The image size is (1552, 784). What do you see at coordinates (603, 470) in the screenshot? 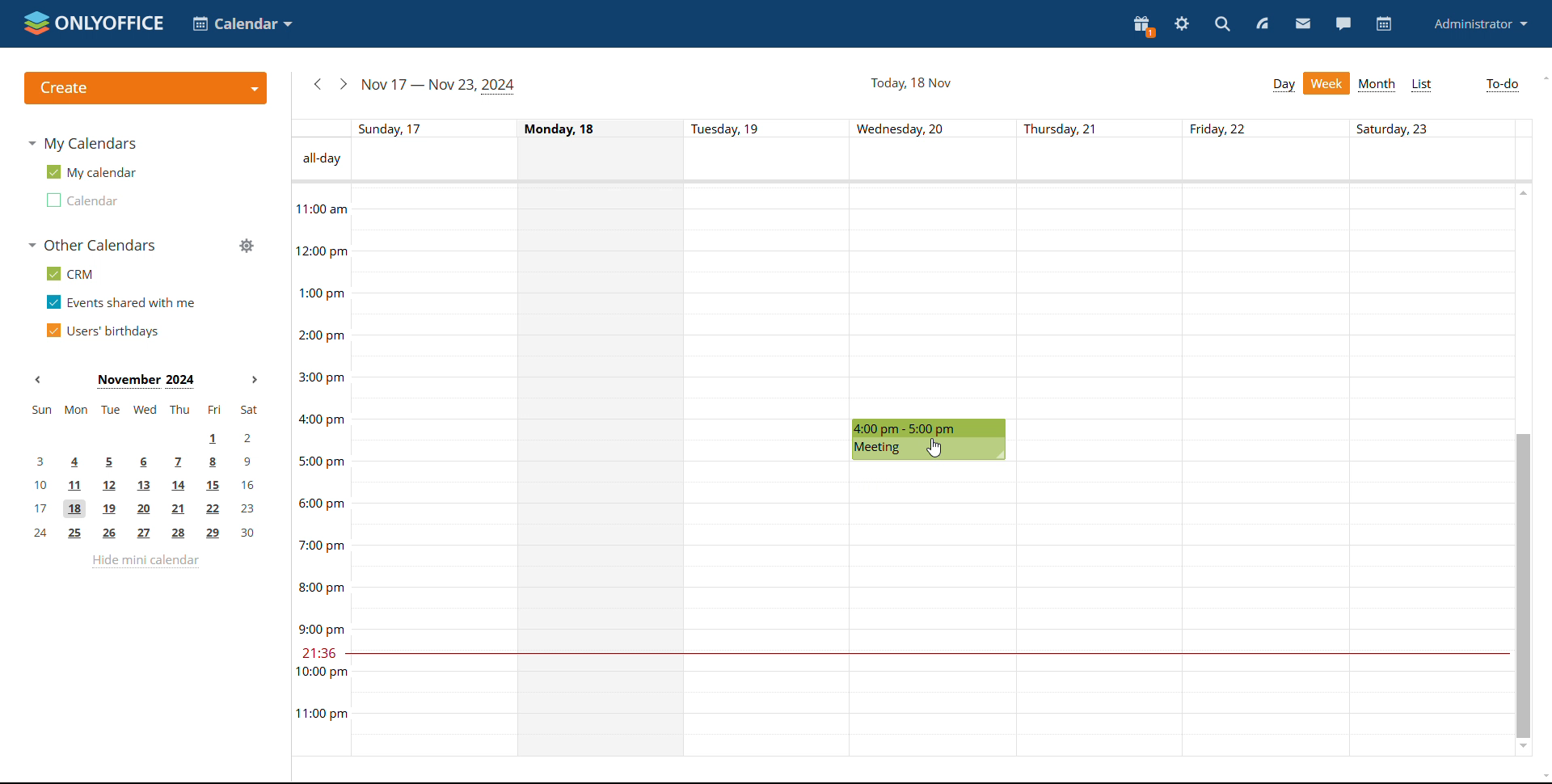
I see `Monday` at bounding box center [603, 470].